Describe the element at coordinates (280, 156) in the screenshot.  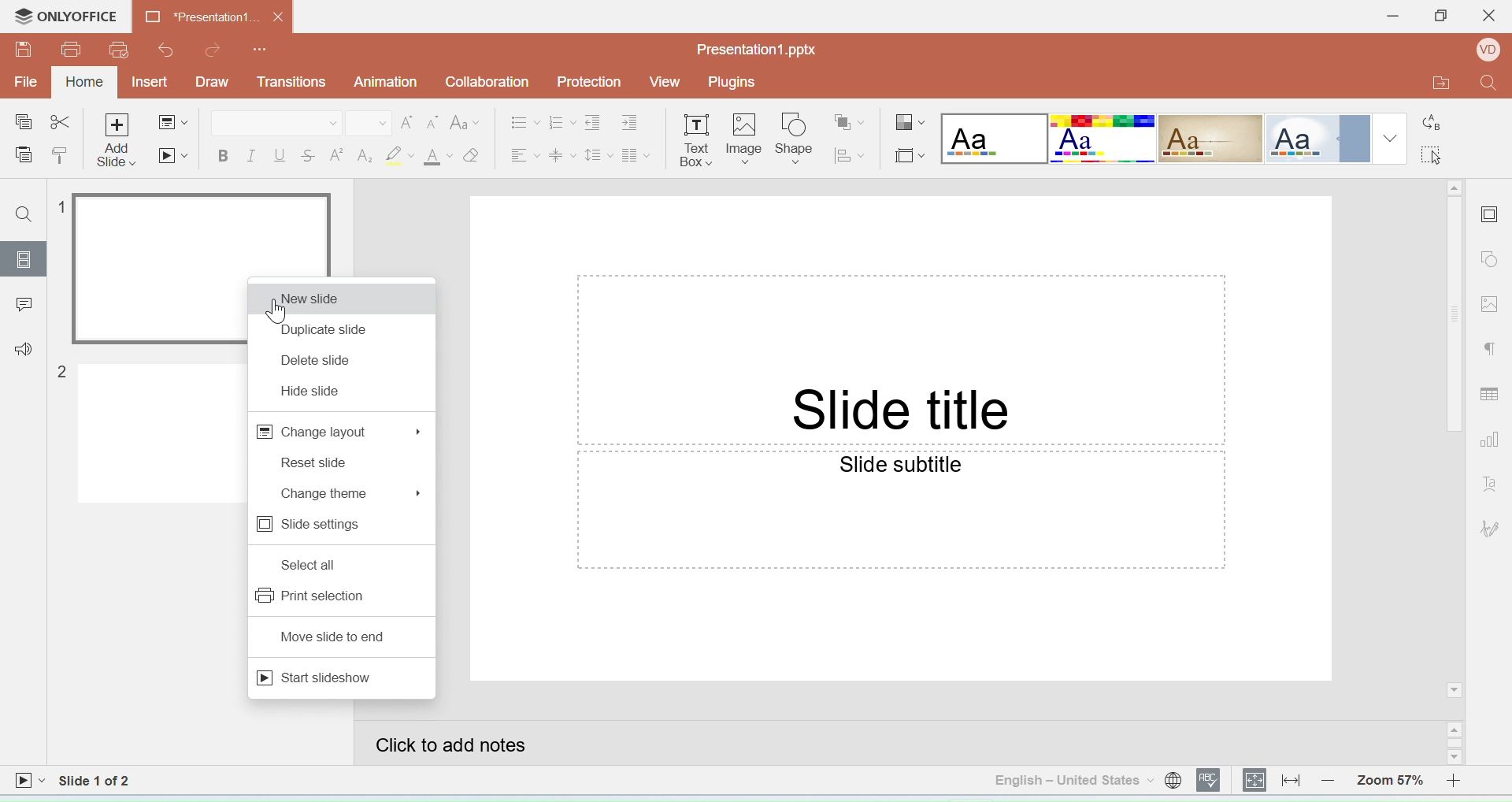
I see `Underline` at that location.